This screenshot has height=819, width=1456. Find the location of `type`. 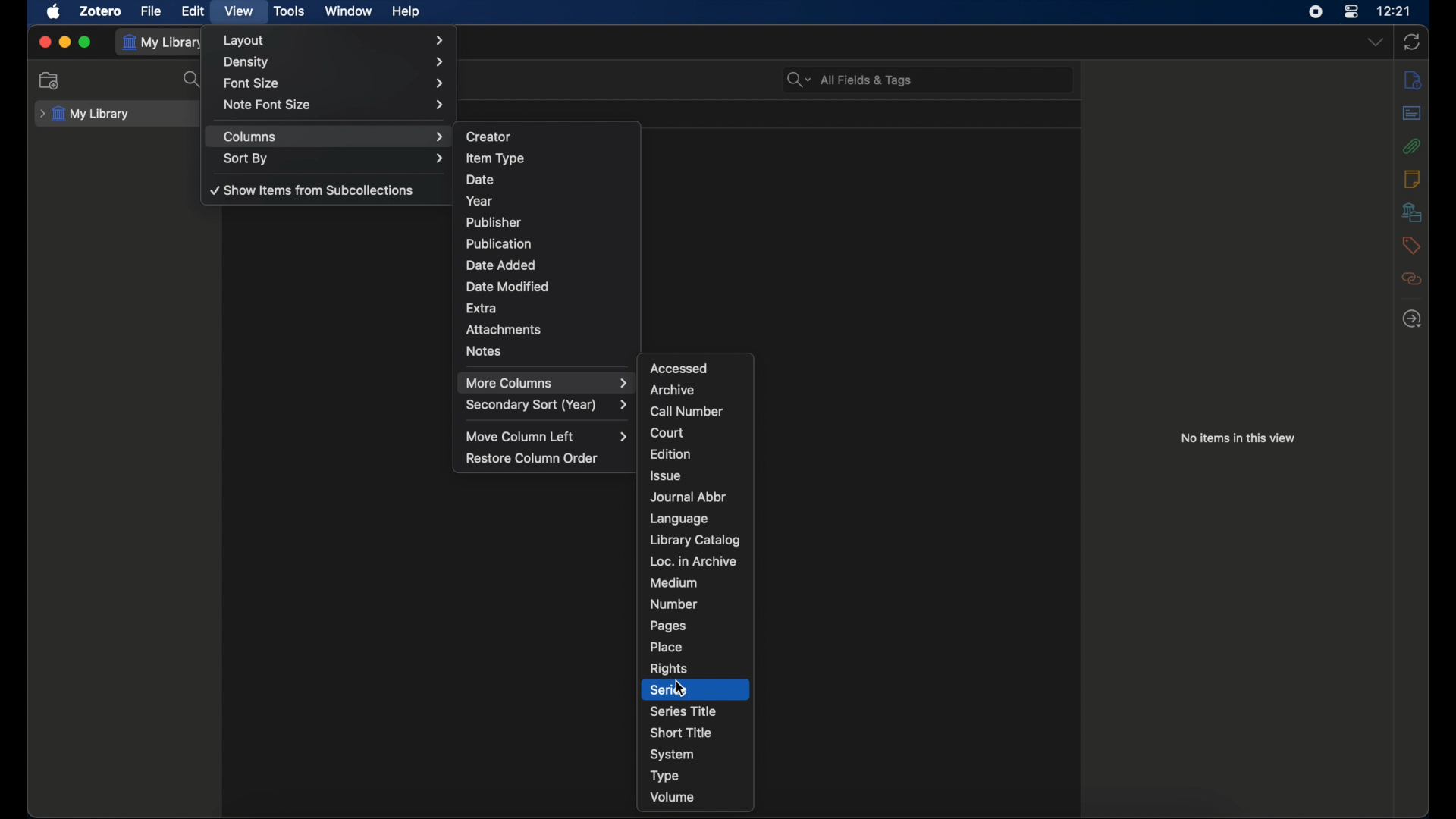

type is located at coordinates (667, 776).